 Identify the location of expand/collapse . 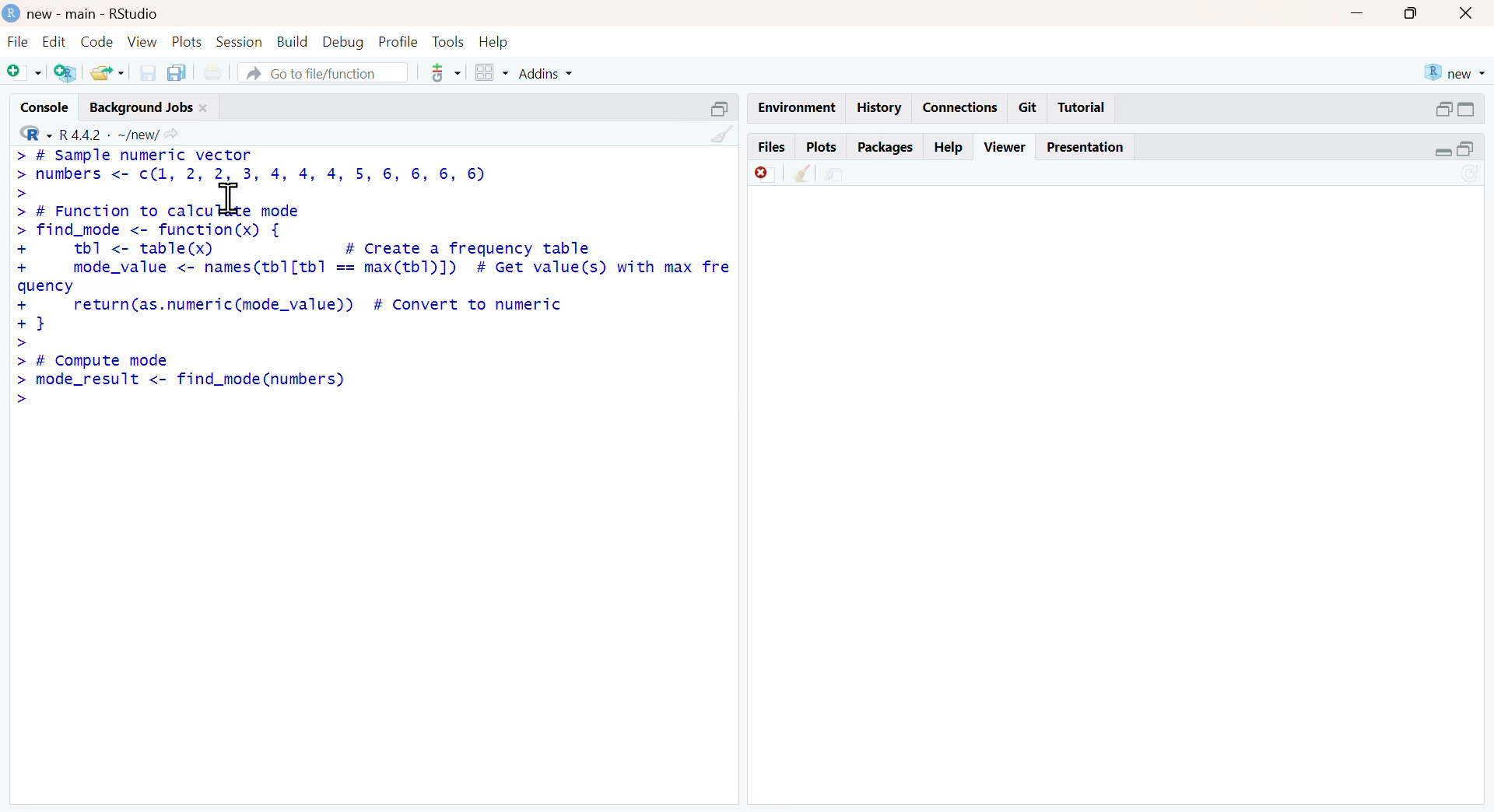
(1466, 109).